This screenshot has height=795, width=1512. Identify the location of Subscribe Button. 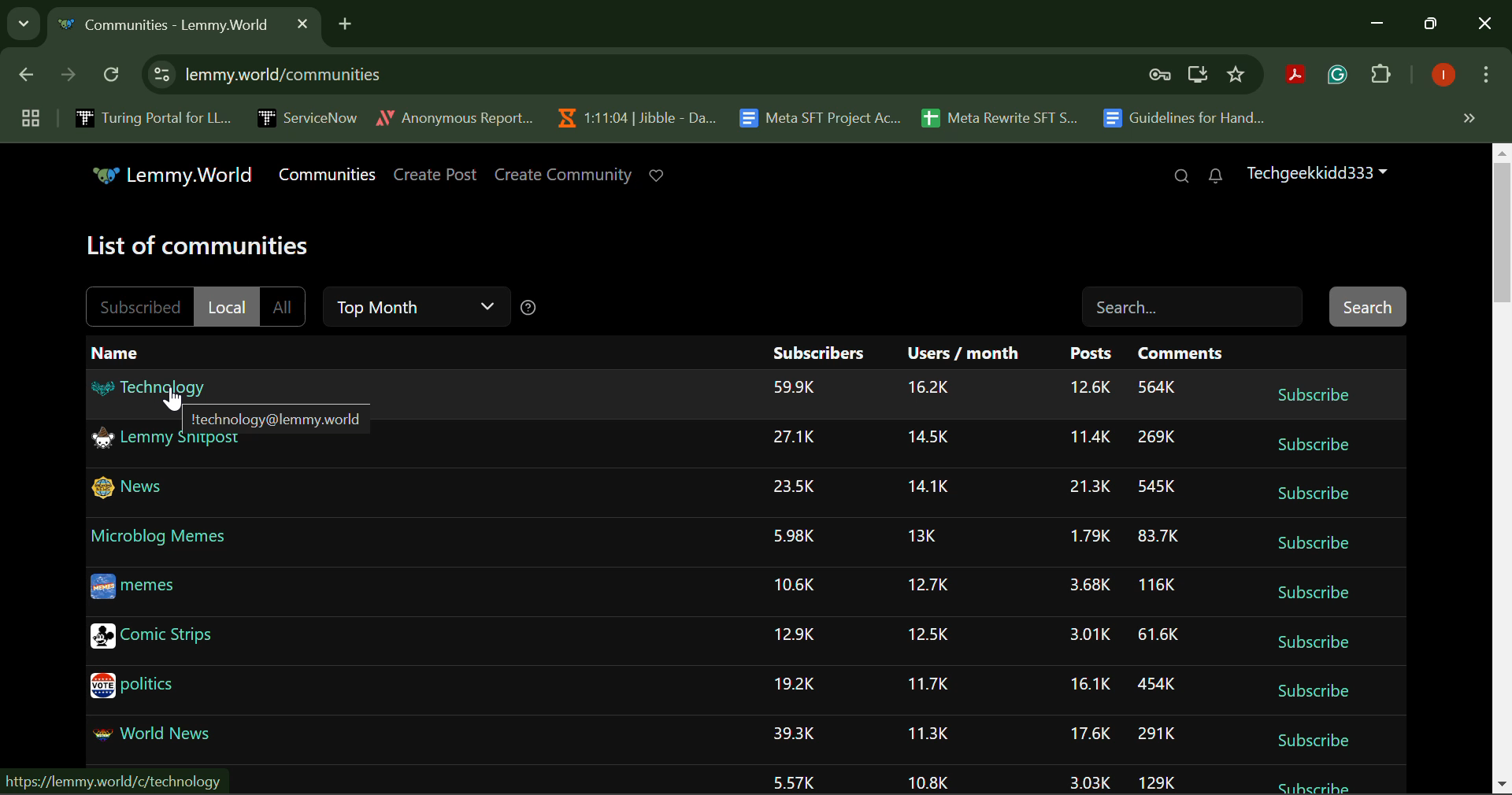
(1313, 394).